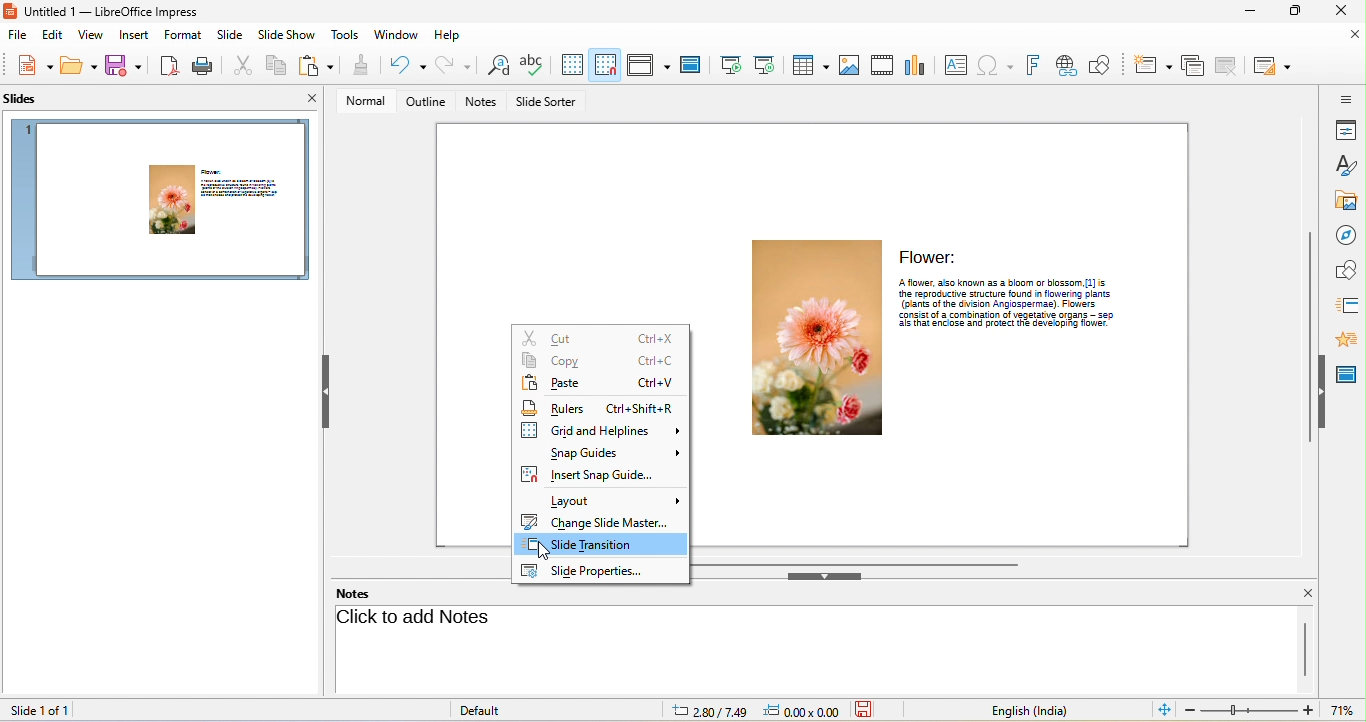 The width and height of the screenshot is (1366, 722). Describe the element at coordinates (567, 65) in the screenshot. I see `display to grid` at that location.